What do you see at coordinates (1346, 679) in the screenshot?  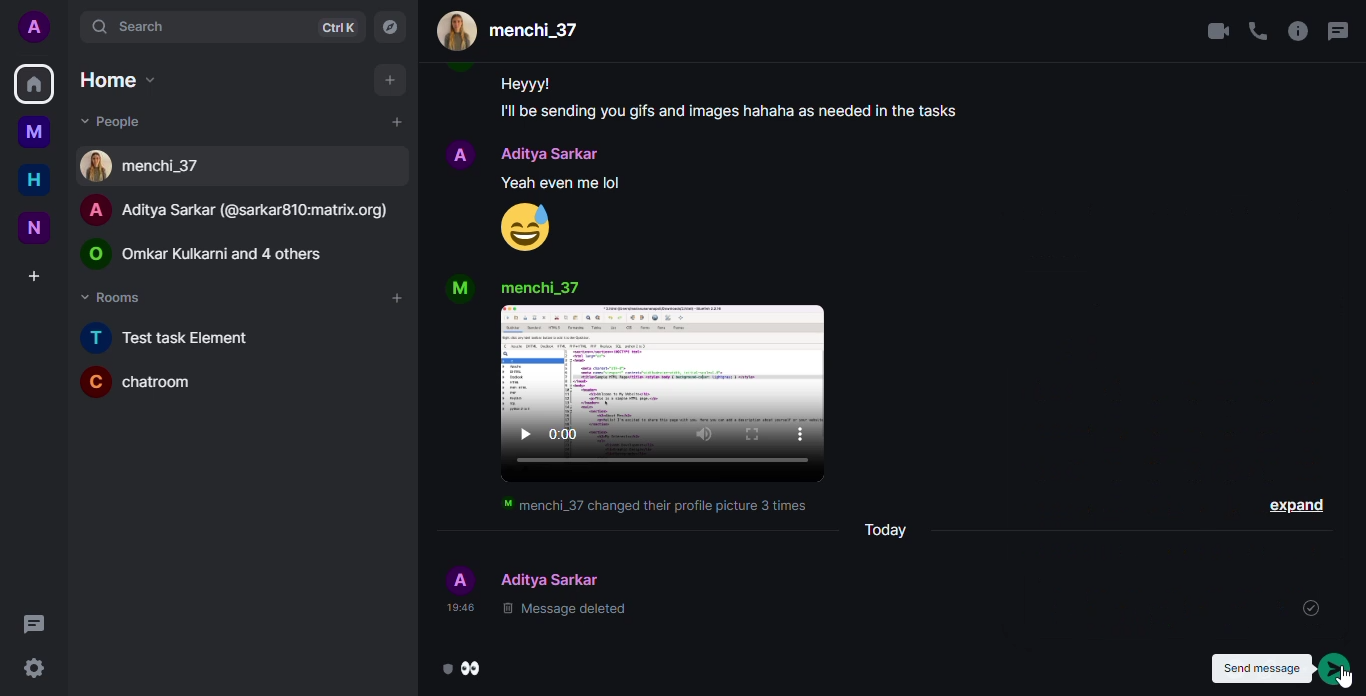 I see `cursor` at bounding box center [1346, 679].